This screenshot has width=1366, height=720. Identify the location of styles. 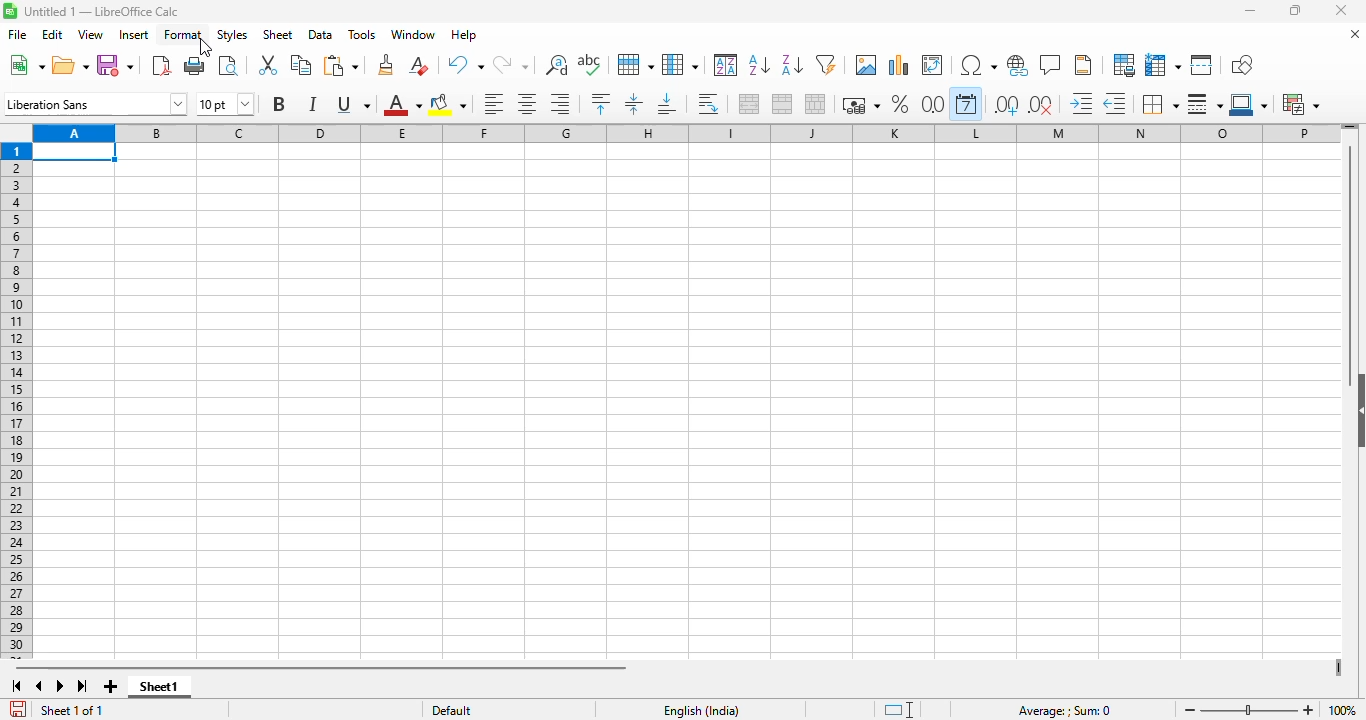
(233, 35).